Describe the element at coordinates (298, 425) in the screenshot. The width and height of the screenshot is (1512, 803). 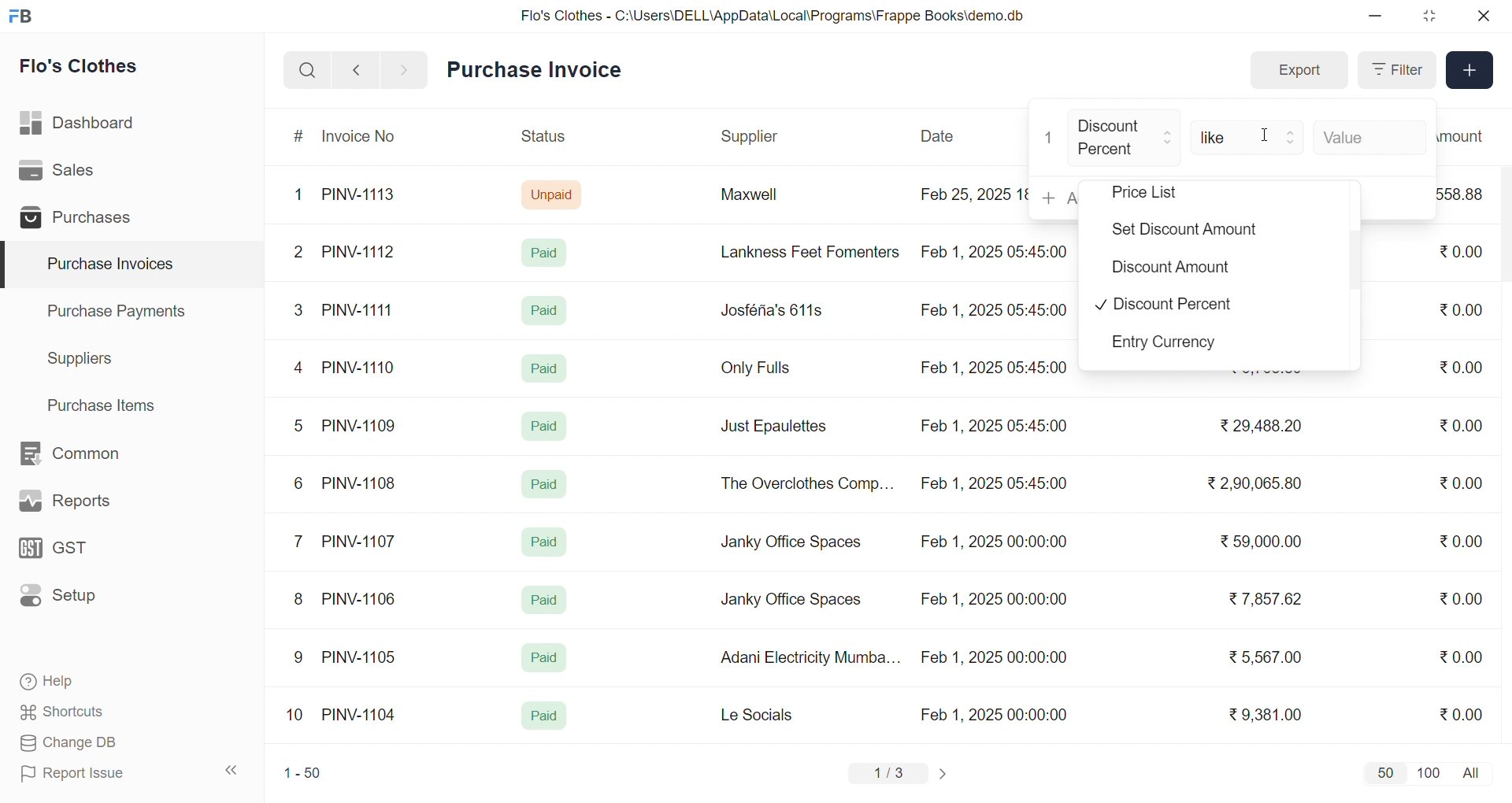
I see `5` at that location.